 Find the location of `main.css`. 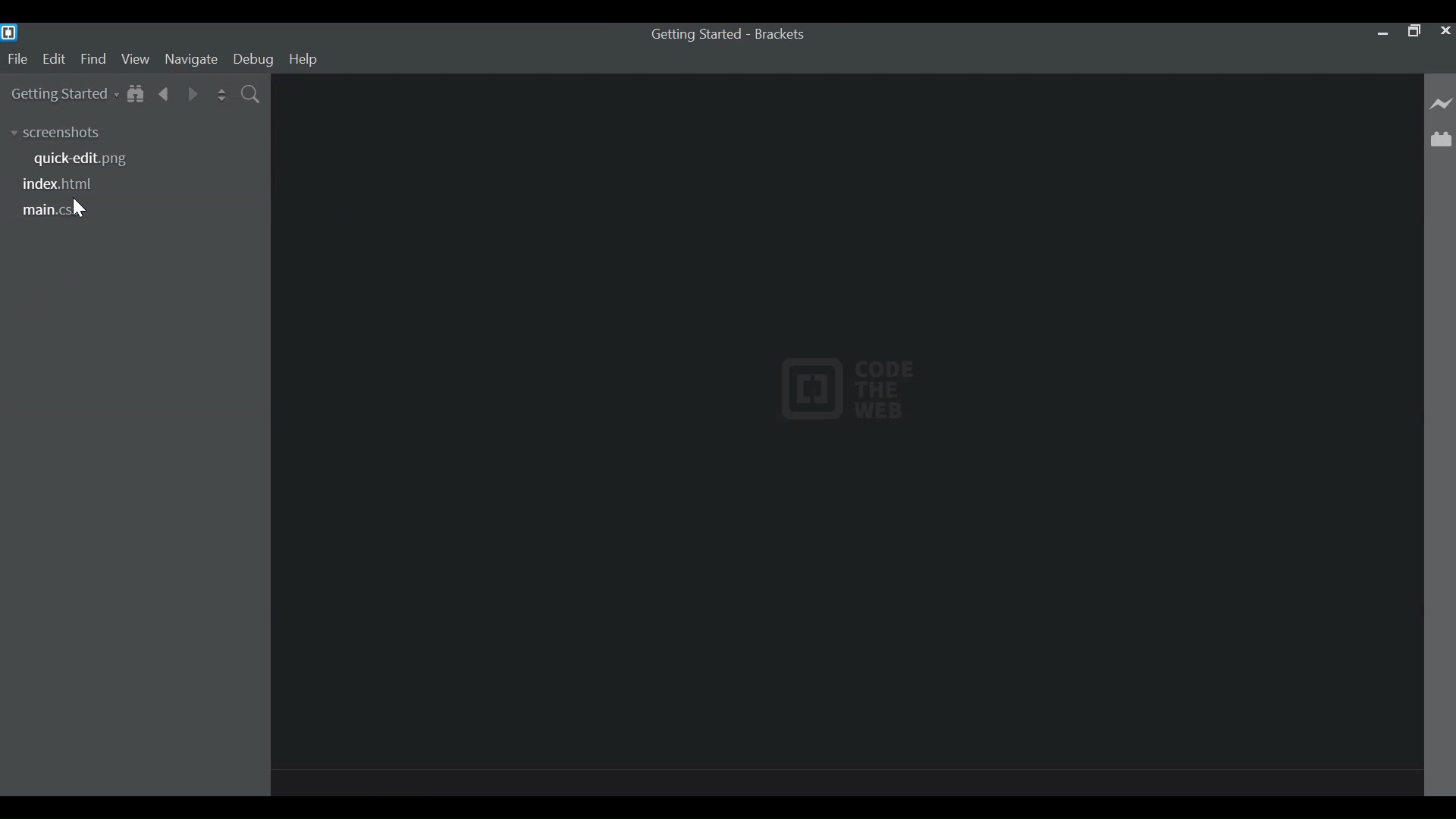

main.css is located at coordinates (56, 210).